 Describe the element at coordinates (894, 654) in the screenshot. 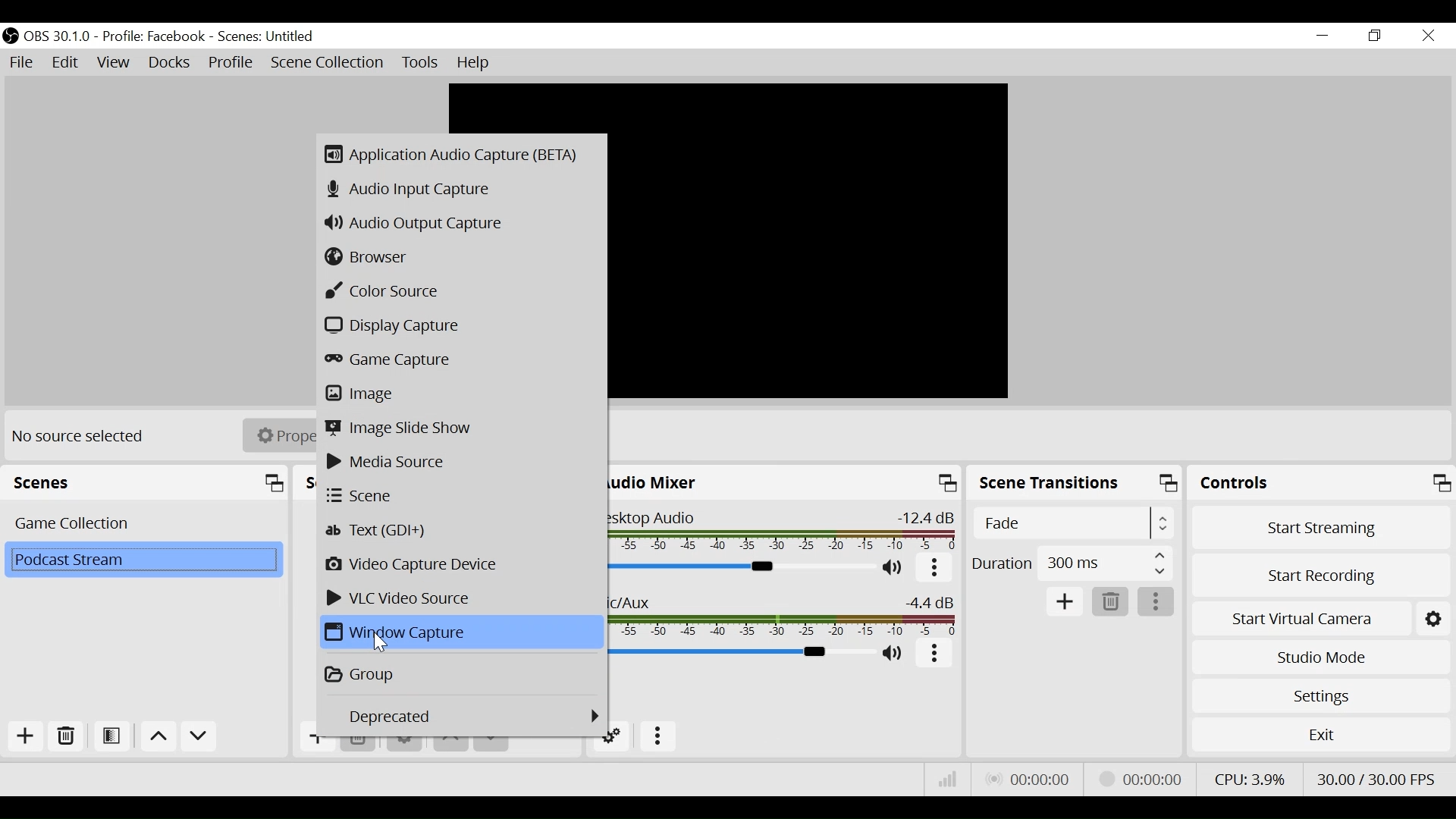

I see `(un)mute` at that location.